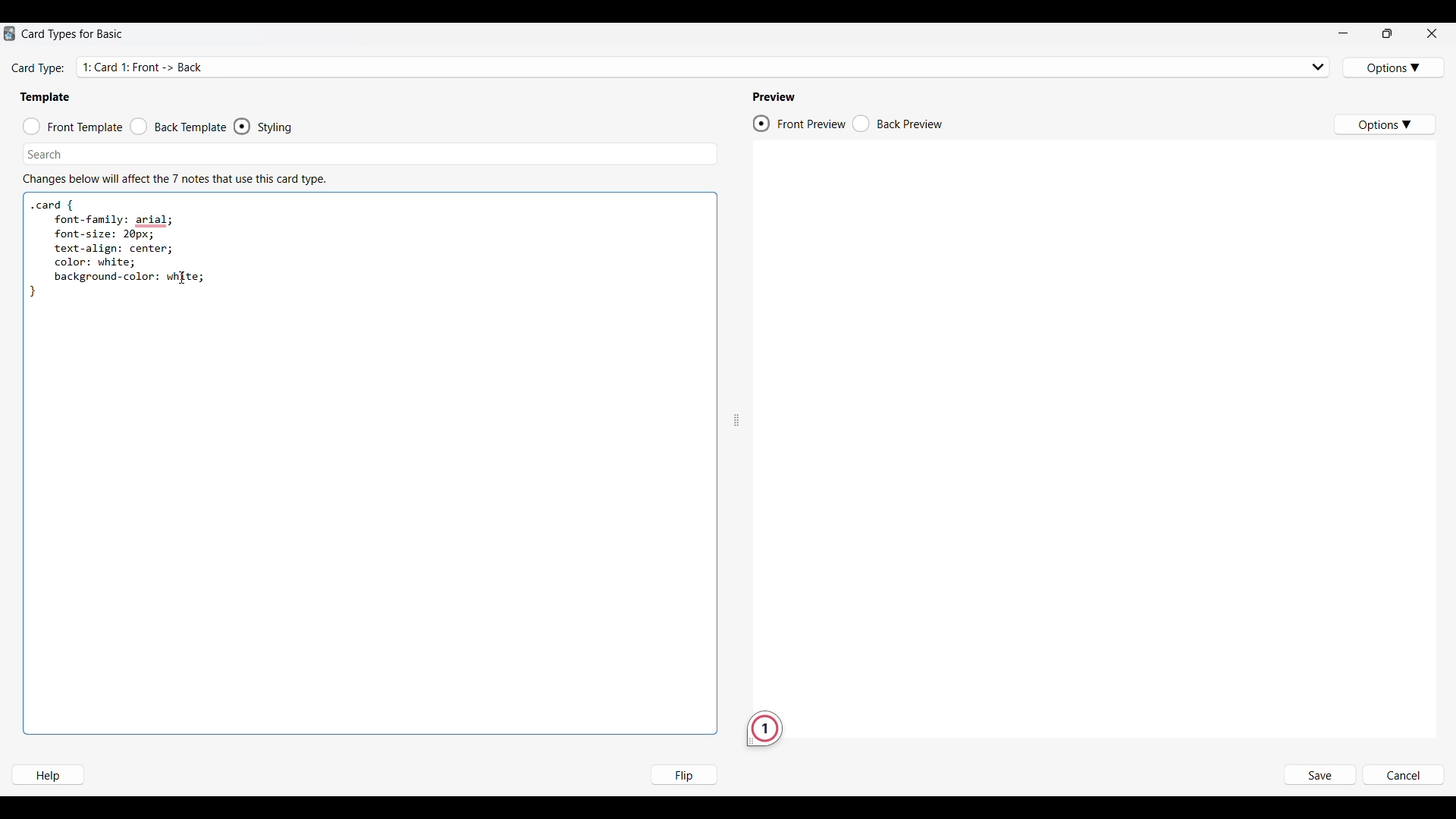 This screenshot has width=1456, height=819. What do you see at coordinates (705, 66) in the screenshot?
I see `Displays card type selected` at bounding box center [705, 66].